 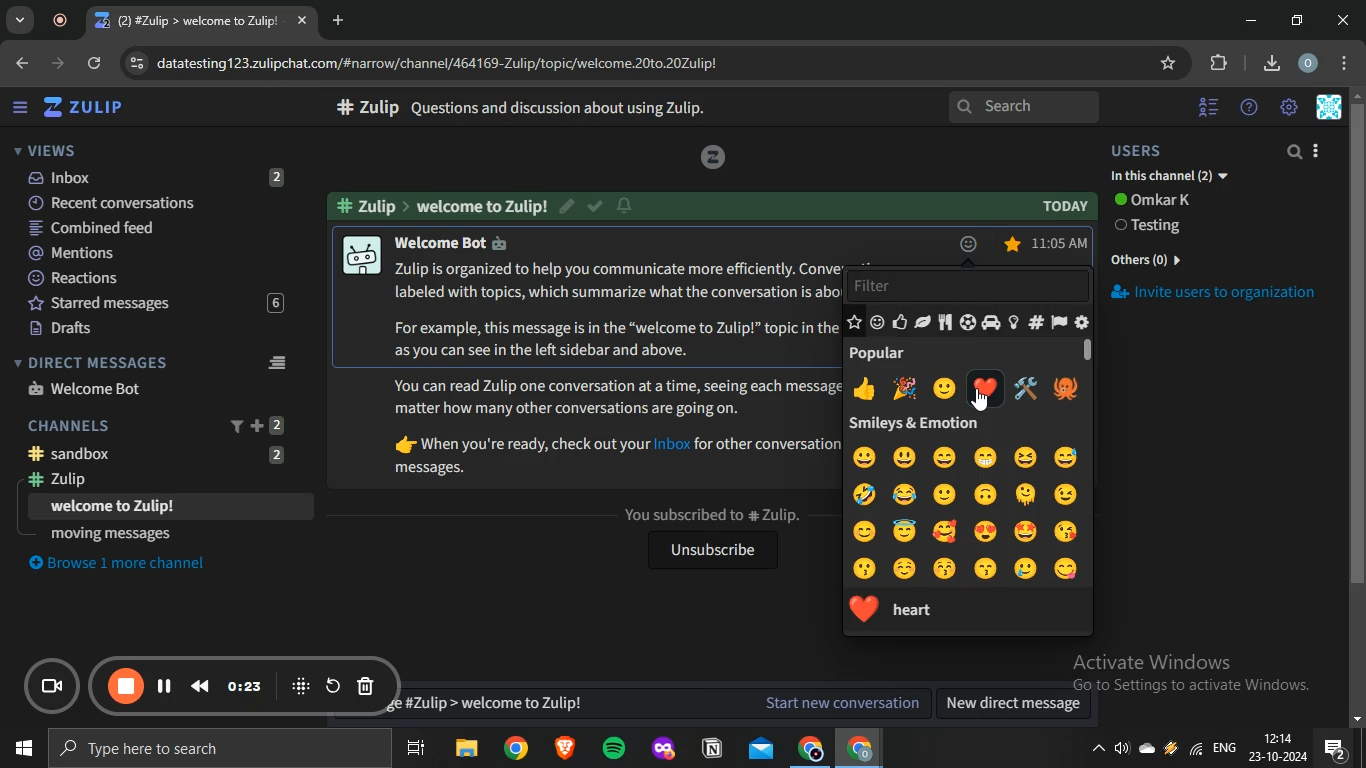 I want to click on Inbox Overview of your conversations with unread messages., so click(x=559, y=108).